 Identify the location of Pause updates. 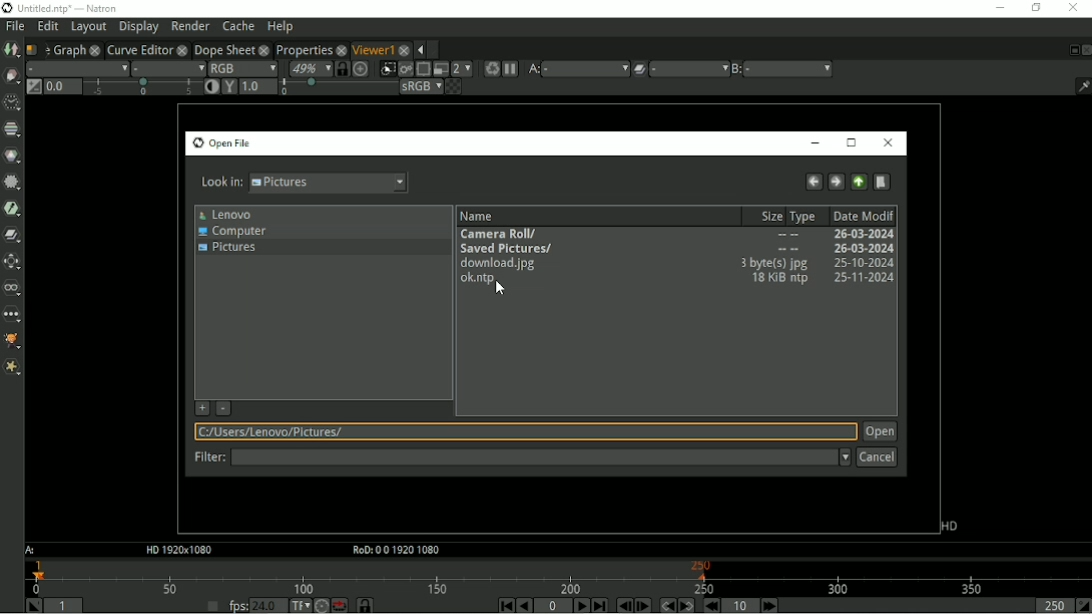
(510, 69).